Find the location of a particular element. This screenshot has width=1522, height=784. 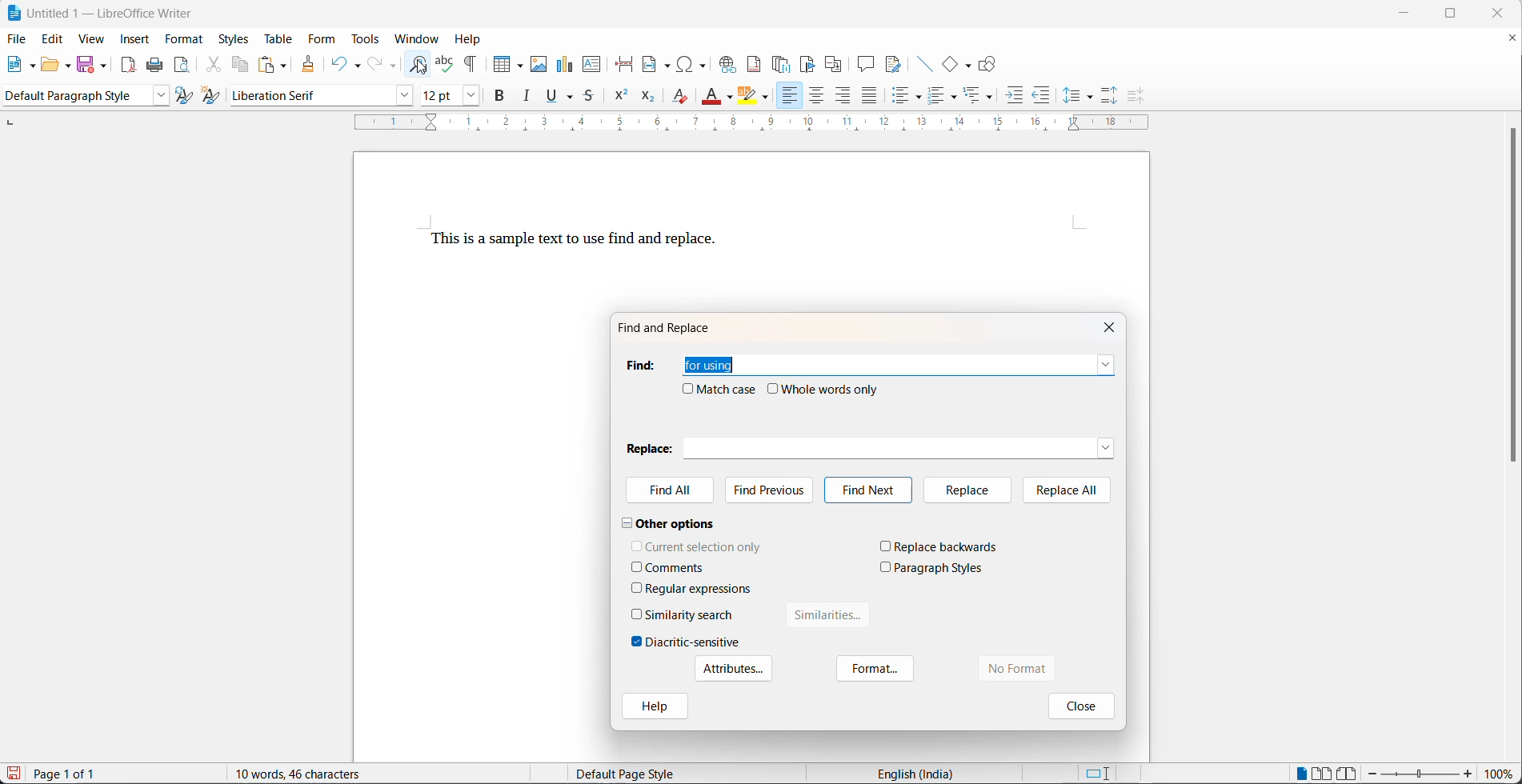

checkbox is located at coordinates (637, 587).